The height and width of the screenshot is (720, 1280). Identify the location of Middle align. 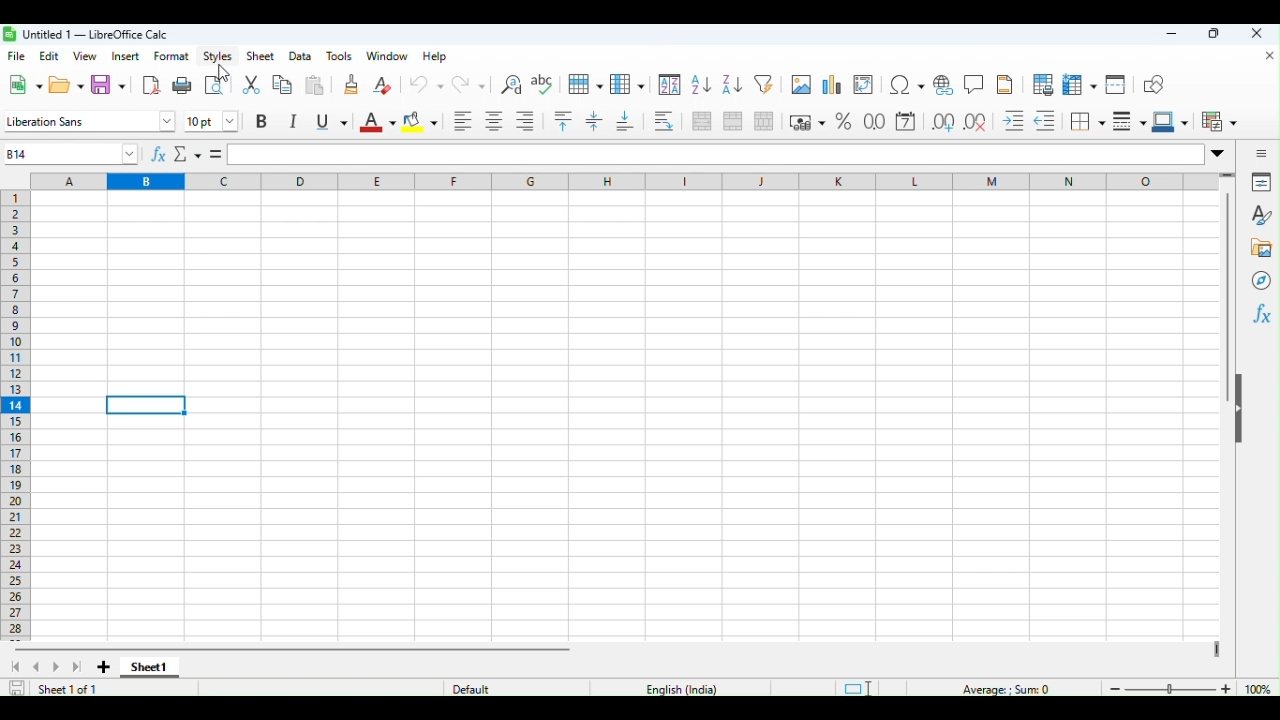
(591, 125).